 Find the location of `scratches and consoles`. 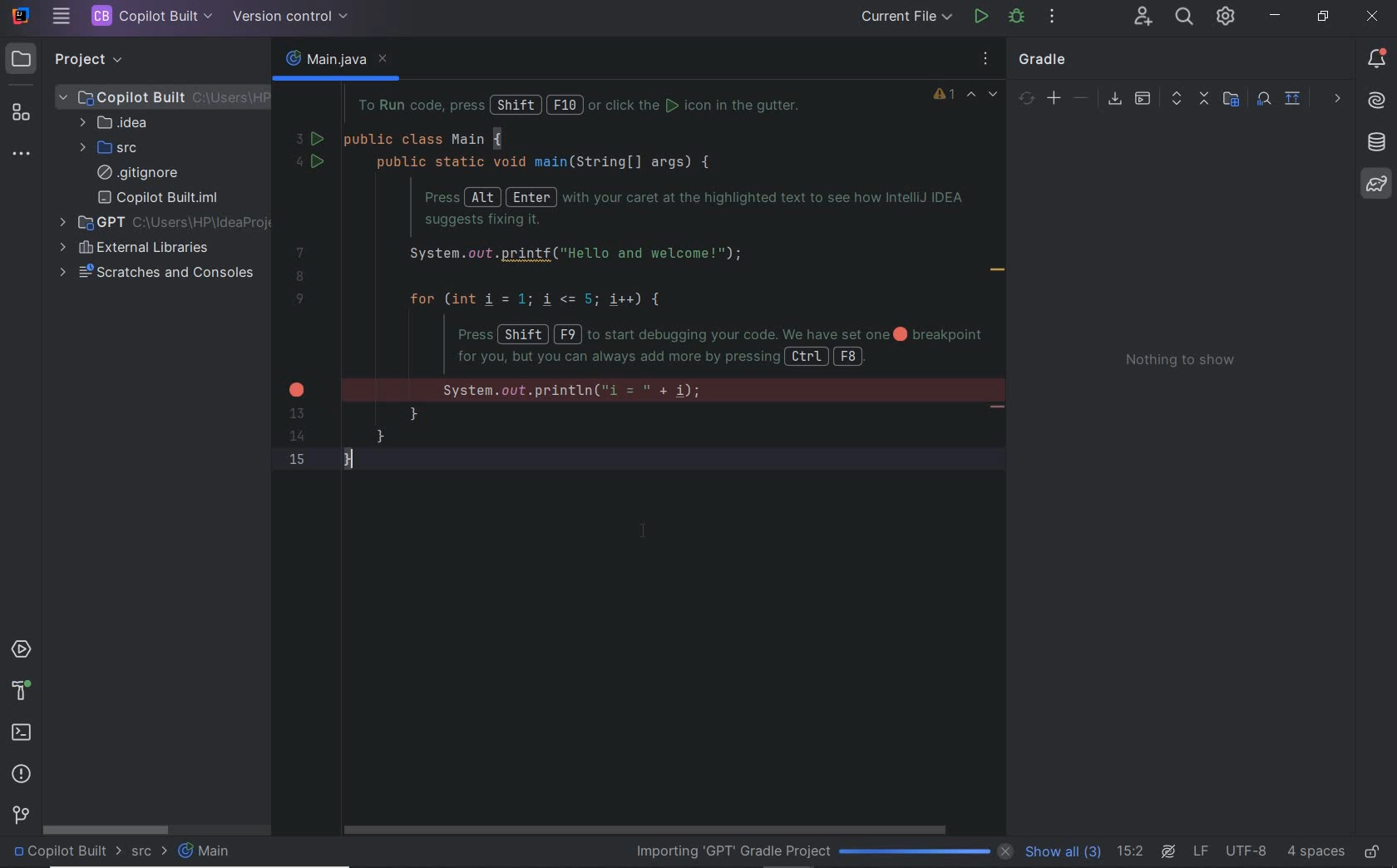

scratches and consoles is located at coordinates (157, 274).